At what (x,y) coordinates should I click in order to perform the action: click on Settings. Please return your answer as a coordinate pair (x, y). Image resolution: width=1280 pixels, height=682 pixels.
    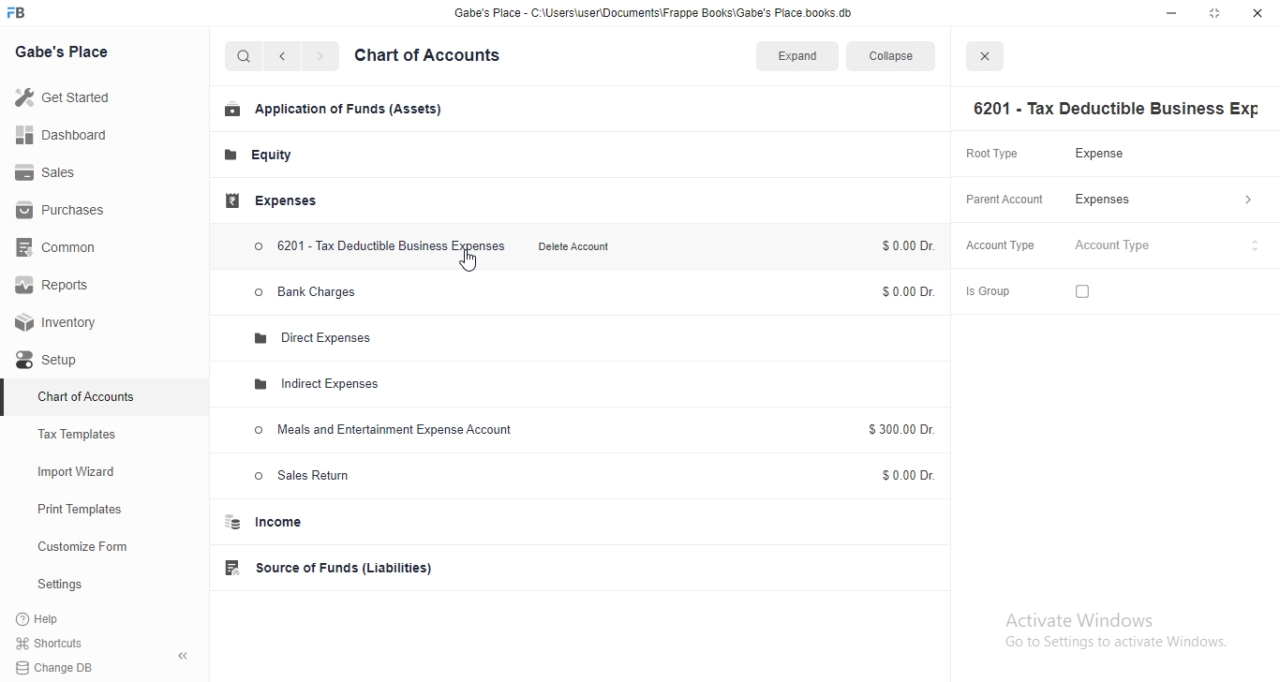
    Looking at the image, I should click on (63, 584).